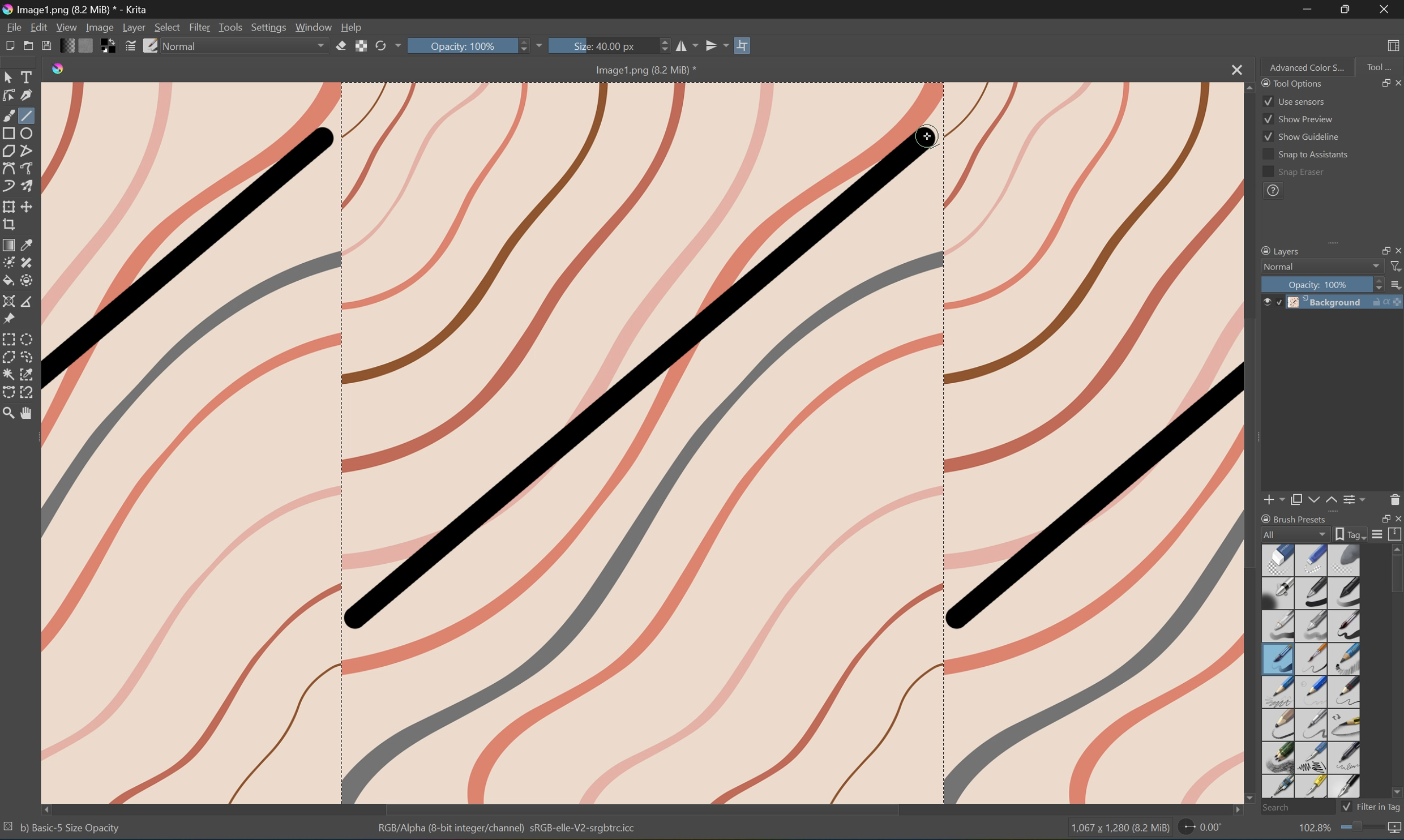  Describe the element at coordinates (109, 46) in the screenshot. I see `Swap foreground and background colors to black and white` at that location.